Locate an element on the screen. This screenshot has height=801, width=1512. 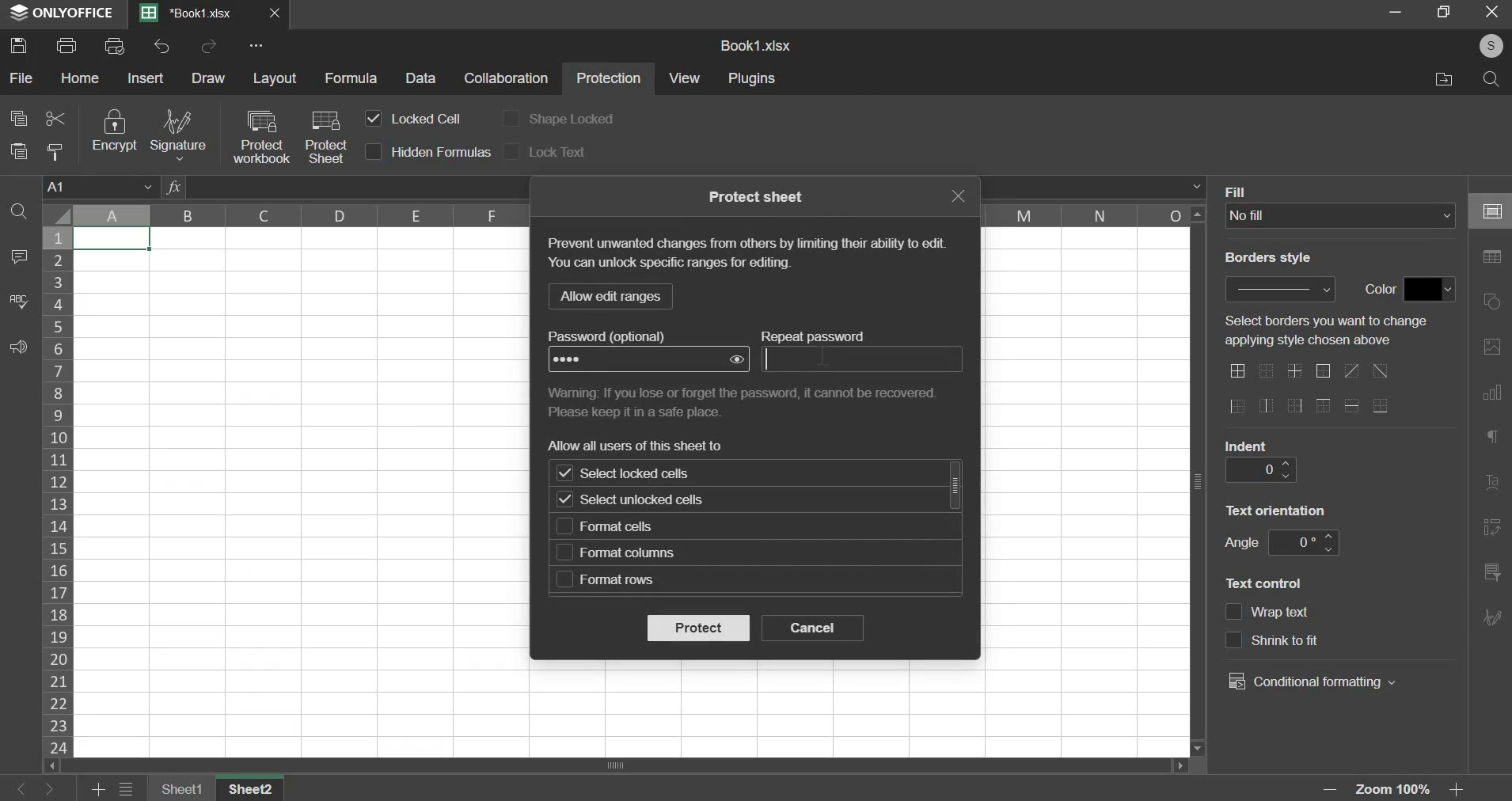
text is located at coordinates (1278, 508).